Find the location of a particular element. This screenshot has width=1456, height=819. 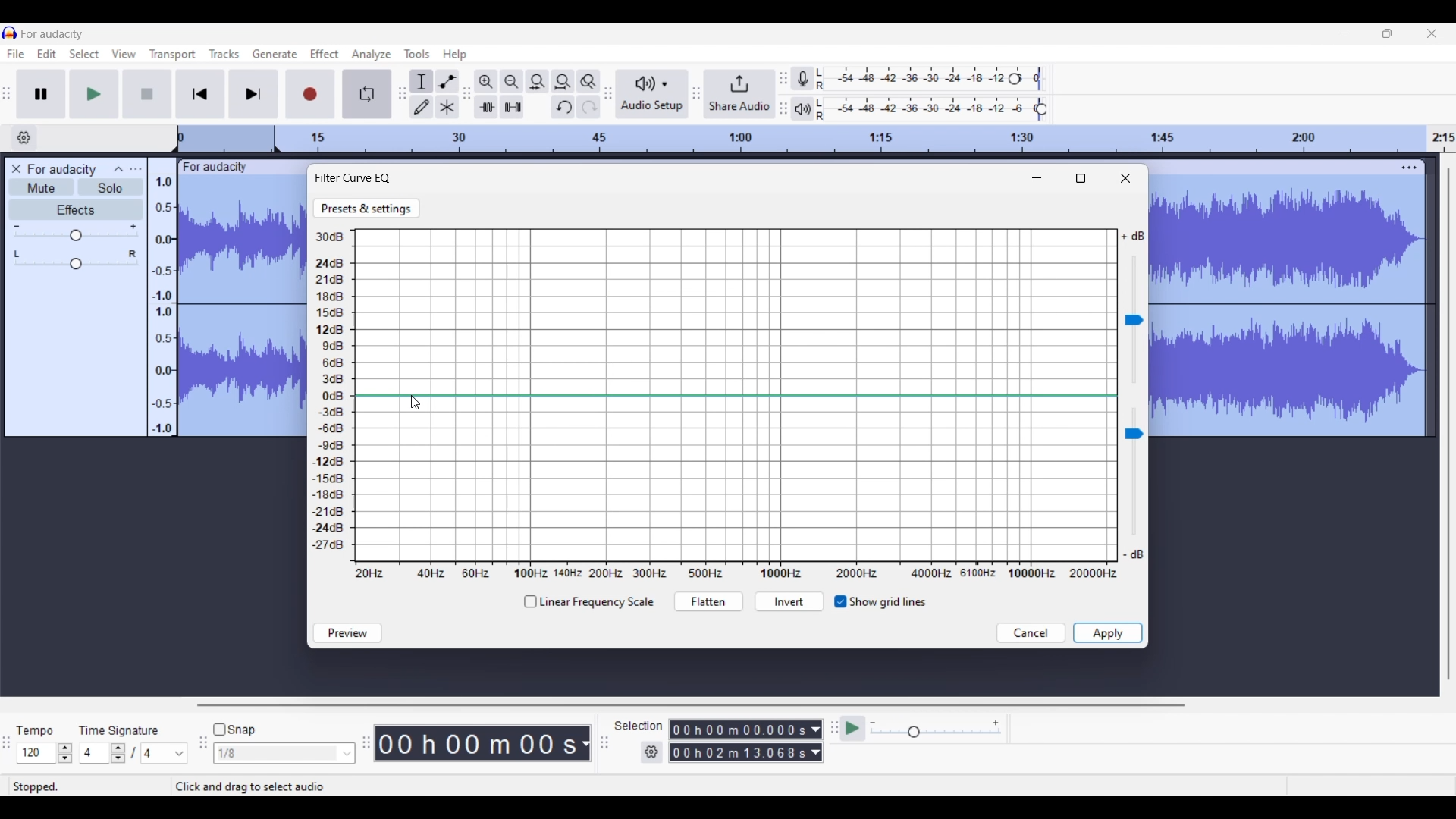

Record/Record new track is located at coordinates (311, 94).